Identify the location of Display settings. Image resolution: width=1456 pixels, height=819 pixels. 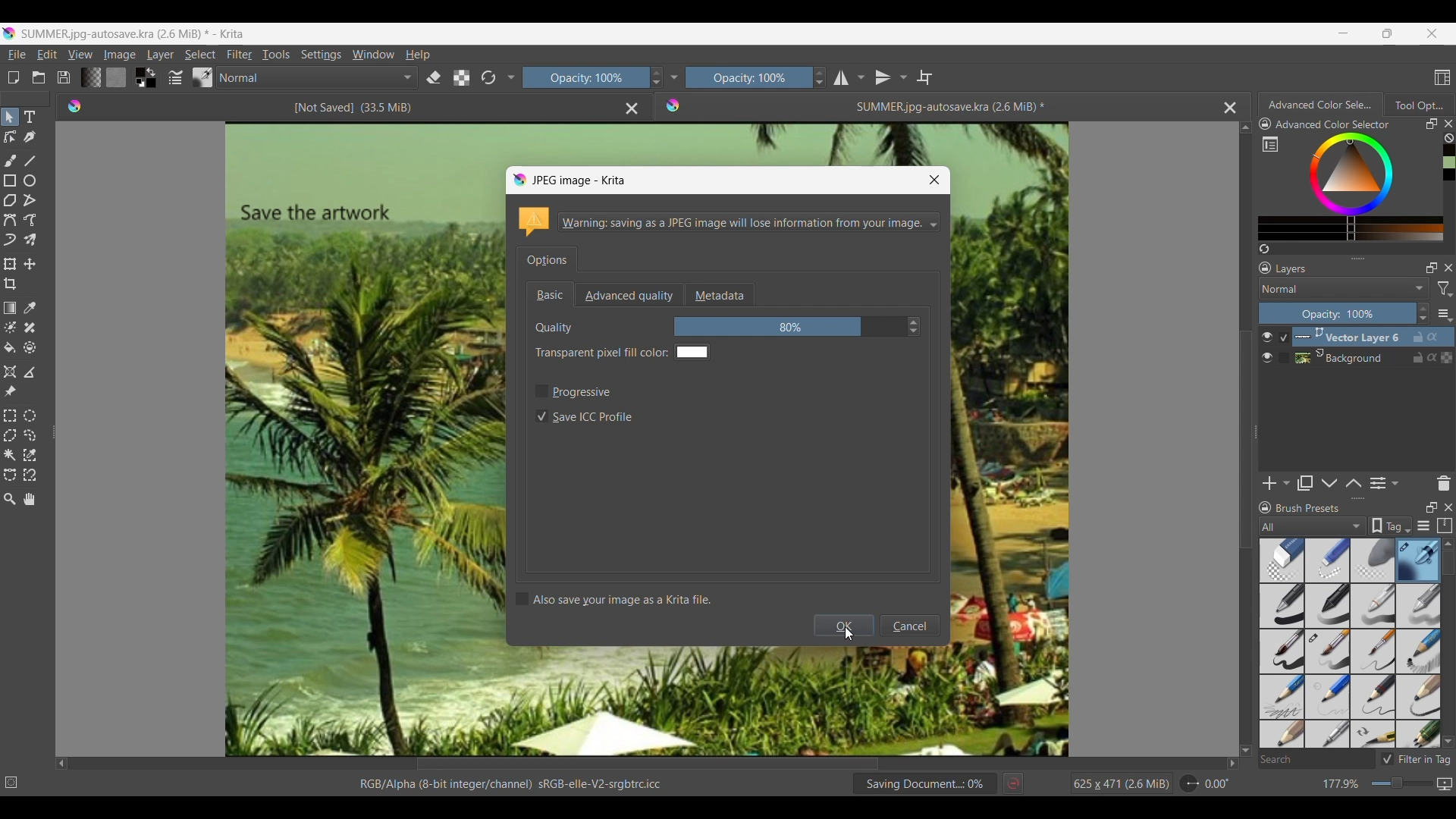
(1423, 526).